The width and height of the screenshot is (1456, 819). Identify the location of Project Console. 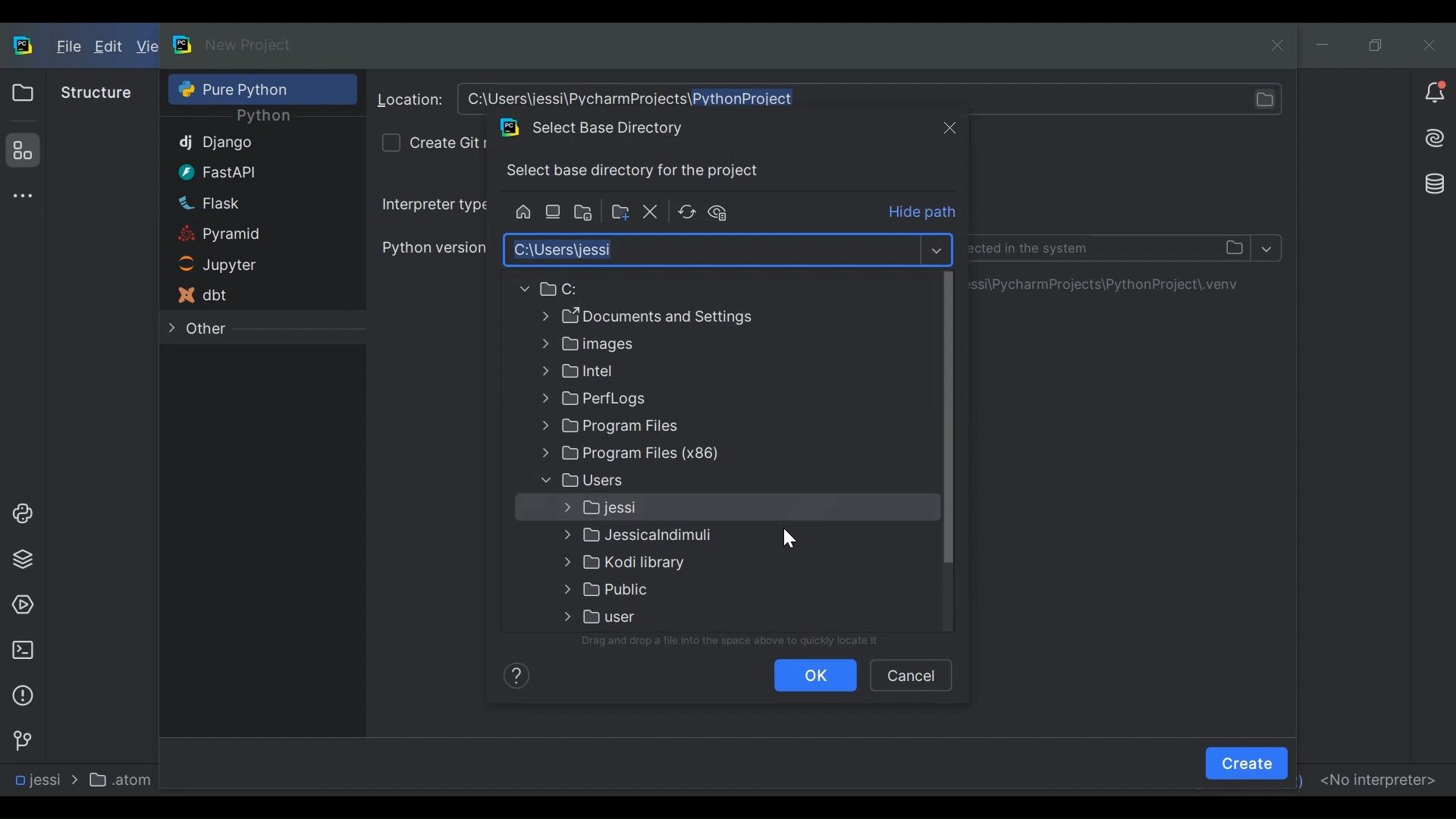
(20, 514).